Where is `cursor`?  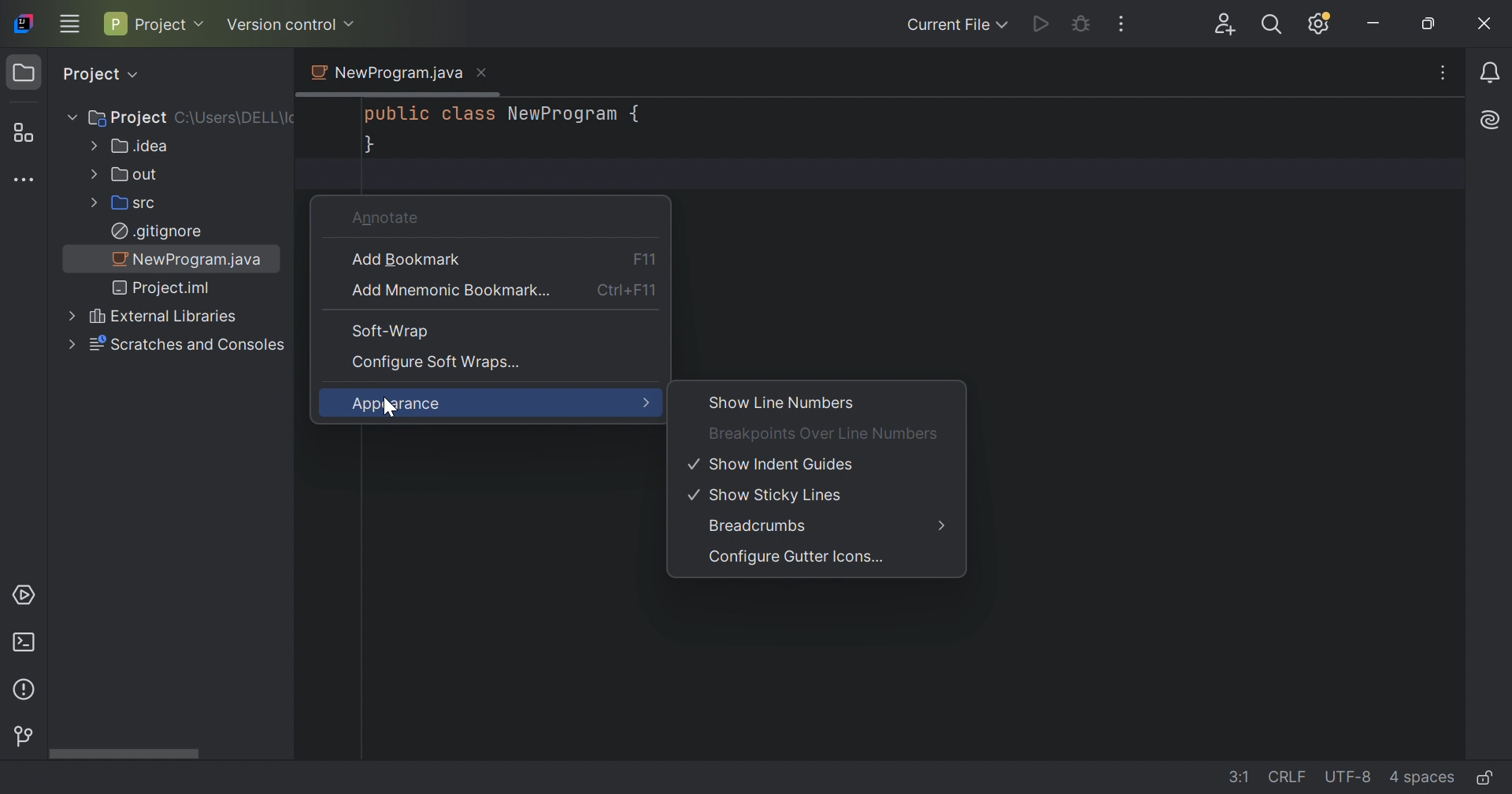 cursor is located at coordinates (391, 414).